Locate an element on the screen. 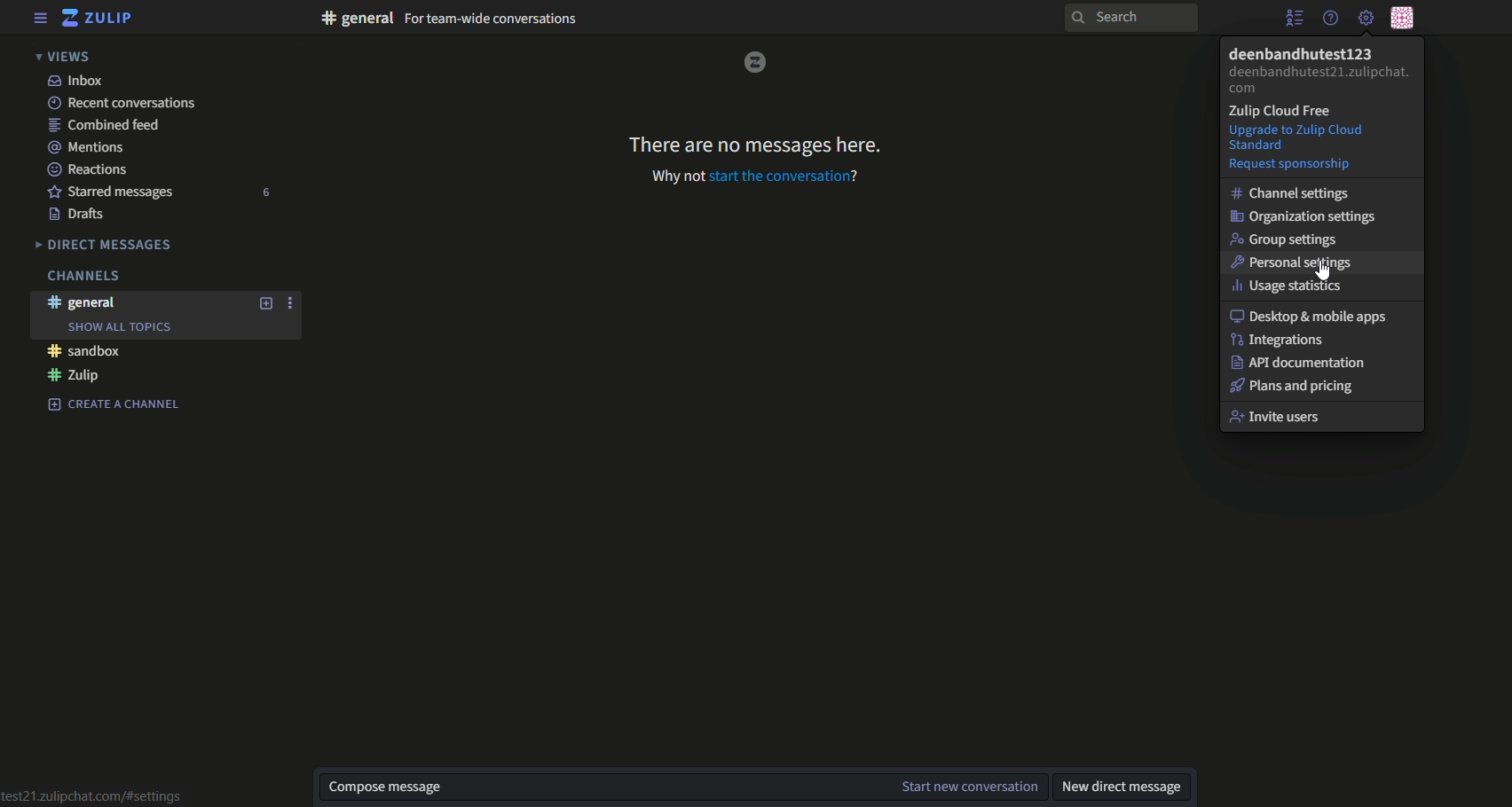 This screenshot has height=807, width=1512. Usage settings is located at coordinates (1293, 286).